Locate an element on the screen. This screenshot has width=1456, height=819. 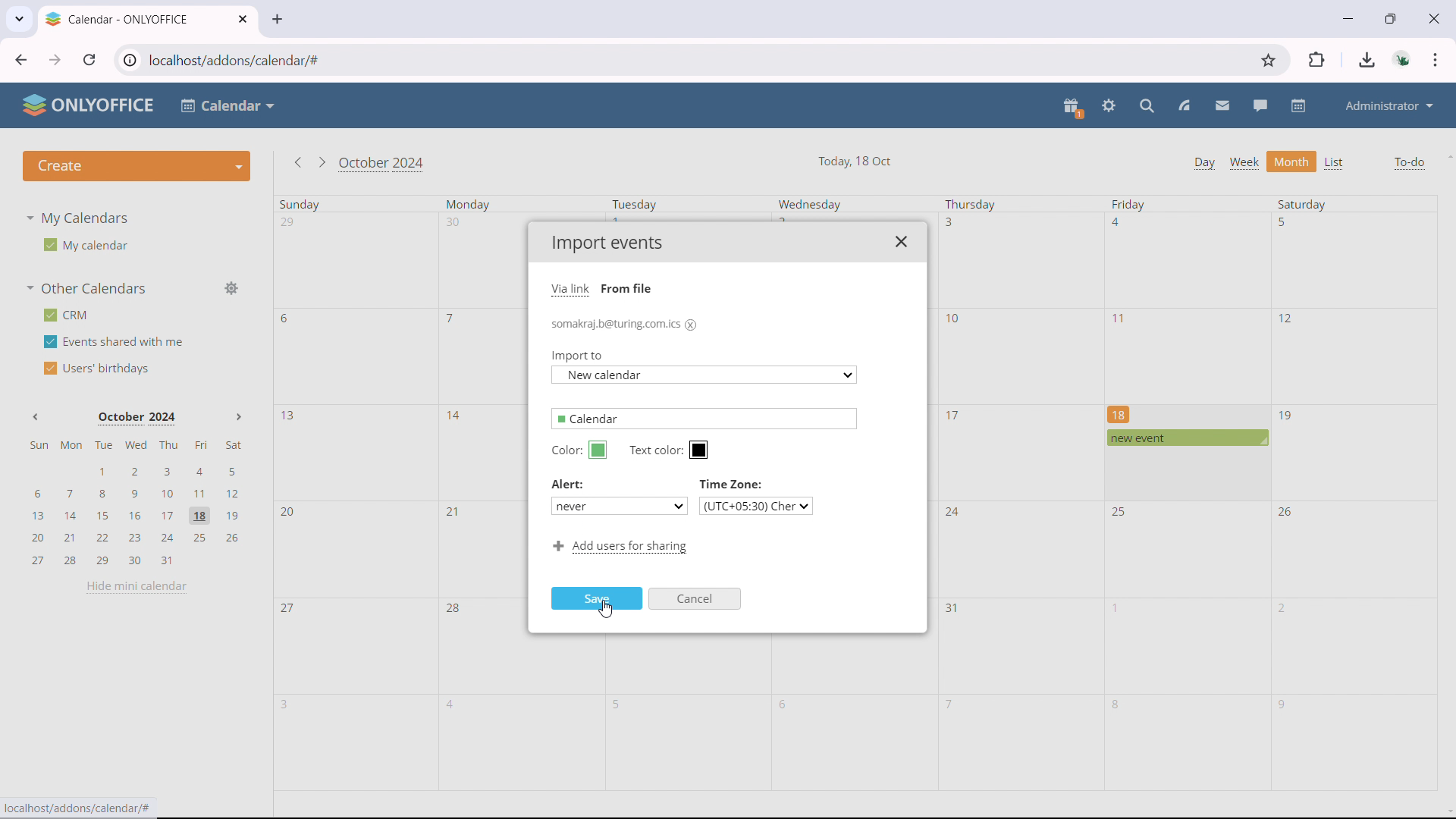
hide mini calendar is located at coordinates (136, 586).